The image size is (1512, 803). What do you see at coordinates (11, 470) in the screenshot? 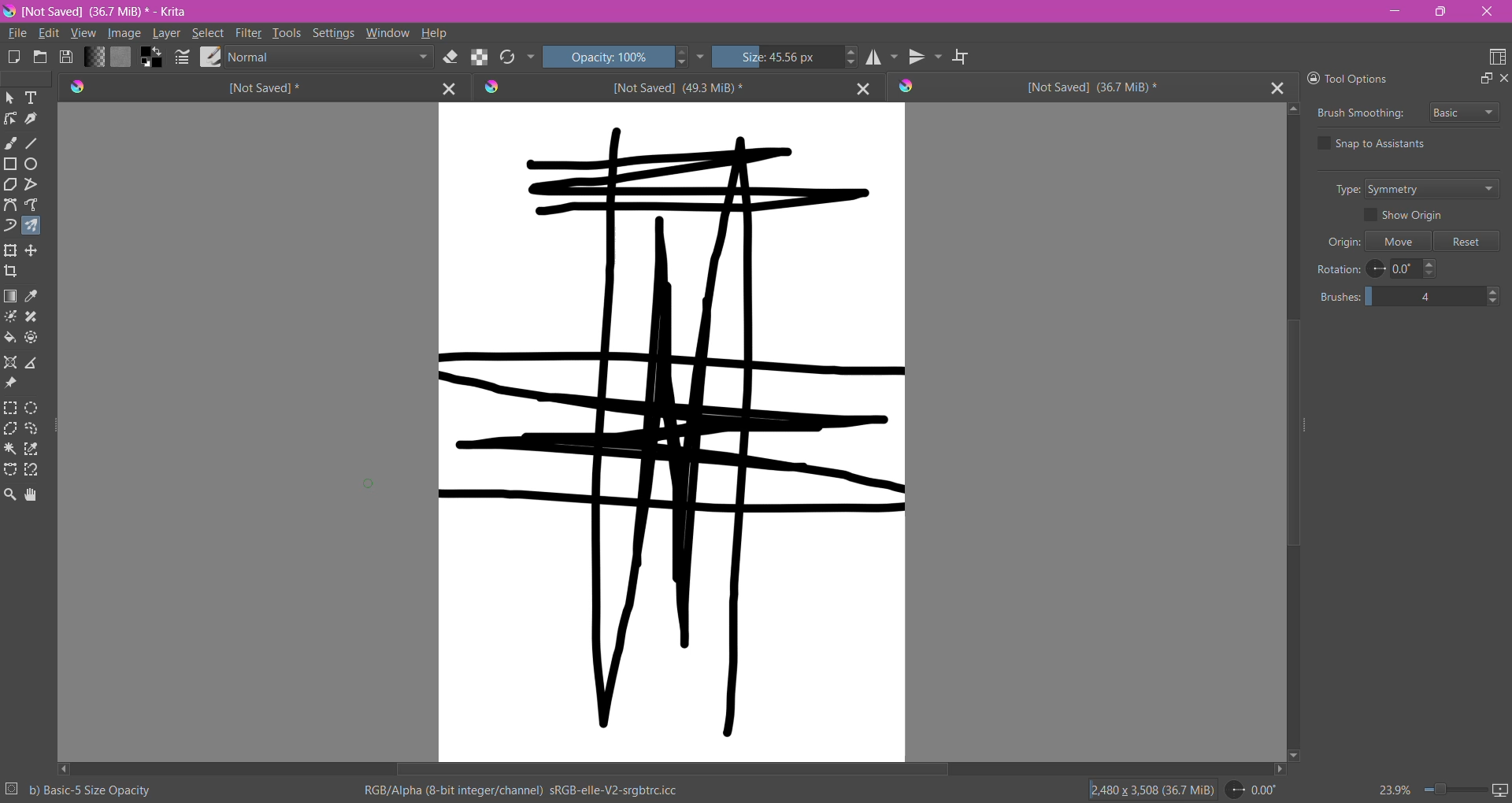
I see `Bezier Curve Selection Tool` at bounding box center [11, 470].